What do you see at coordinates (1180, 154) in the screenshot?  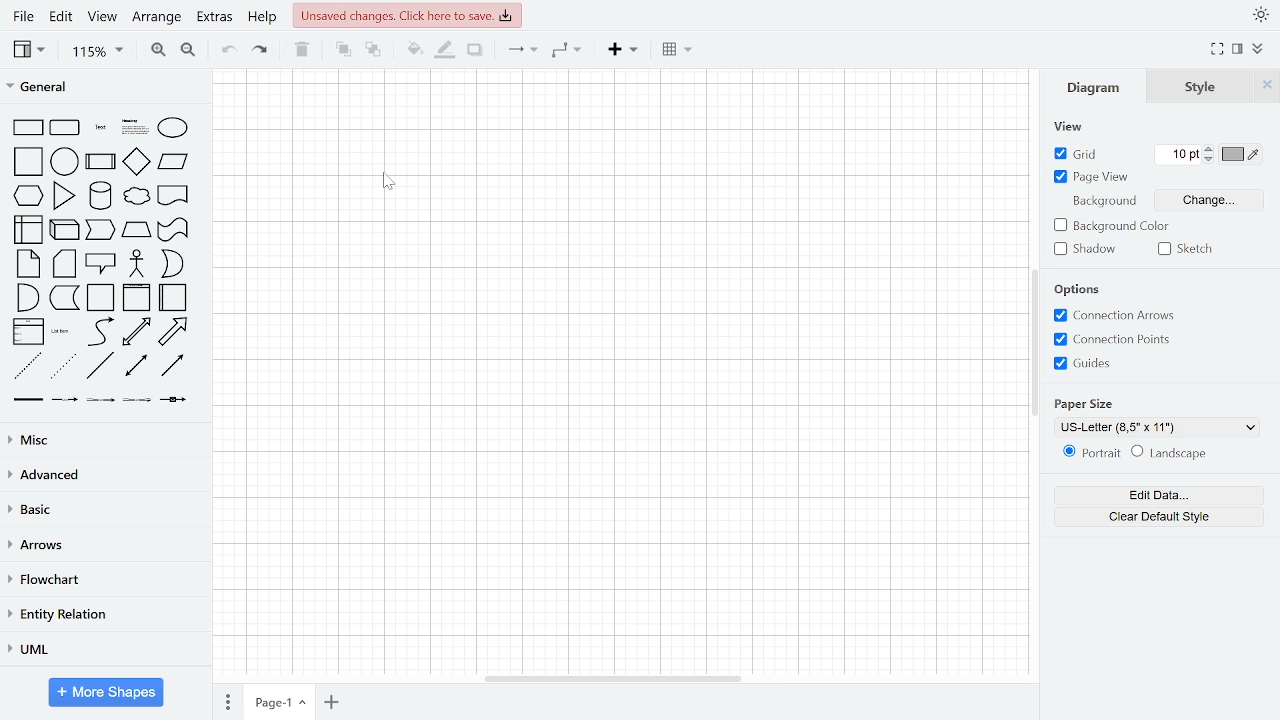 I see `10 pt` at bounding box center [1180, 154].